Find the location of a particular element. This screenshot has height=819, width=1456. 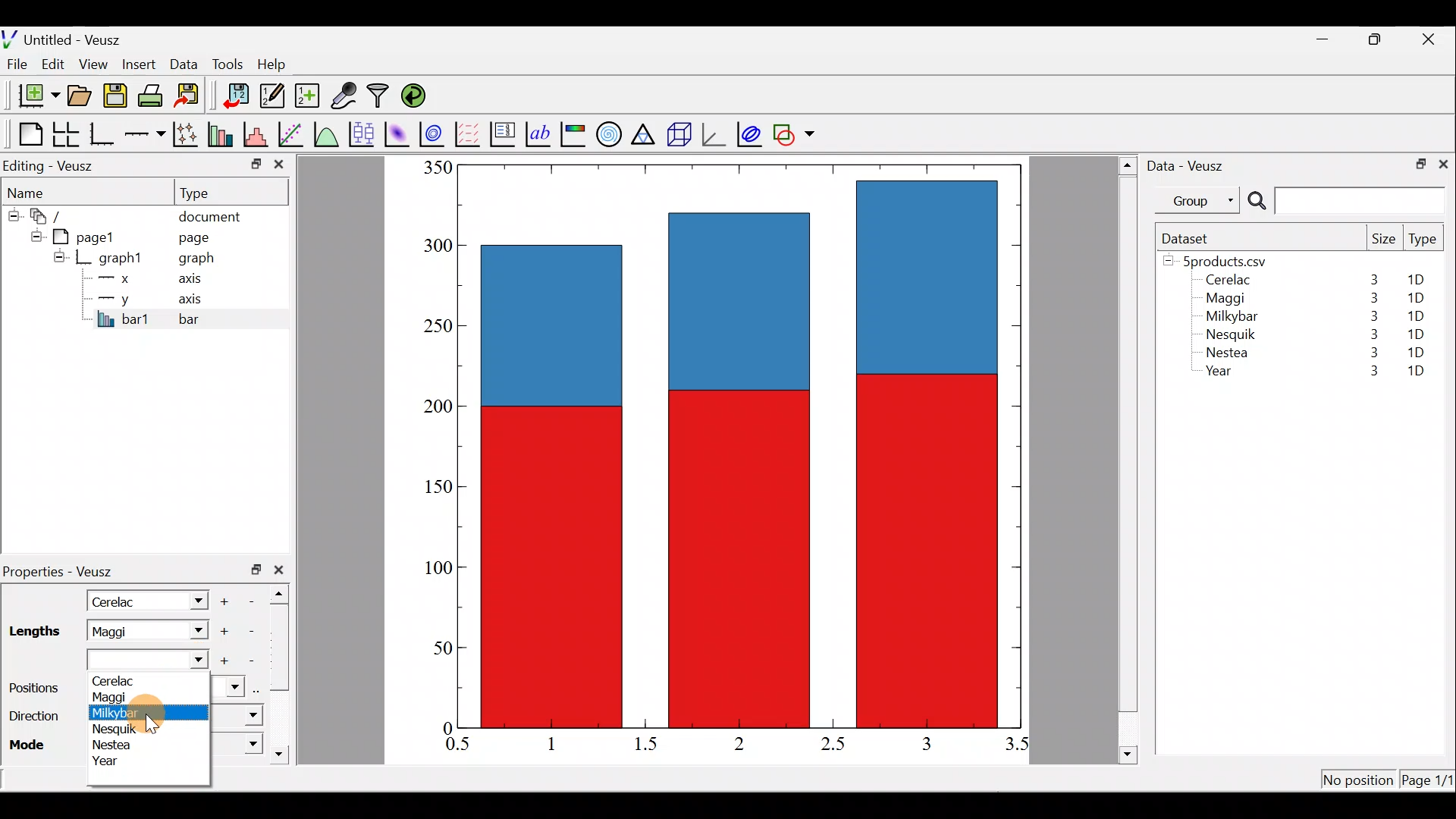

1D is located at coordinates (1418, 331).